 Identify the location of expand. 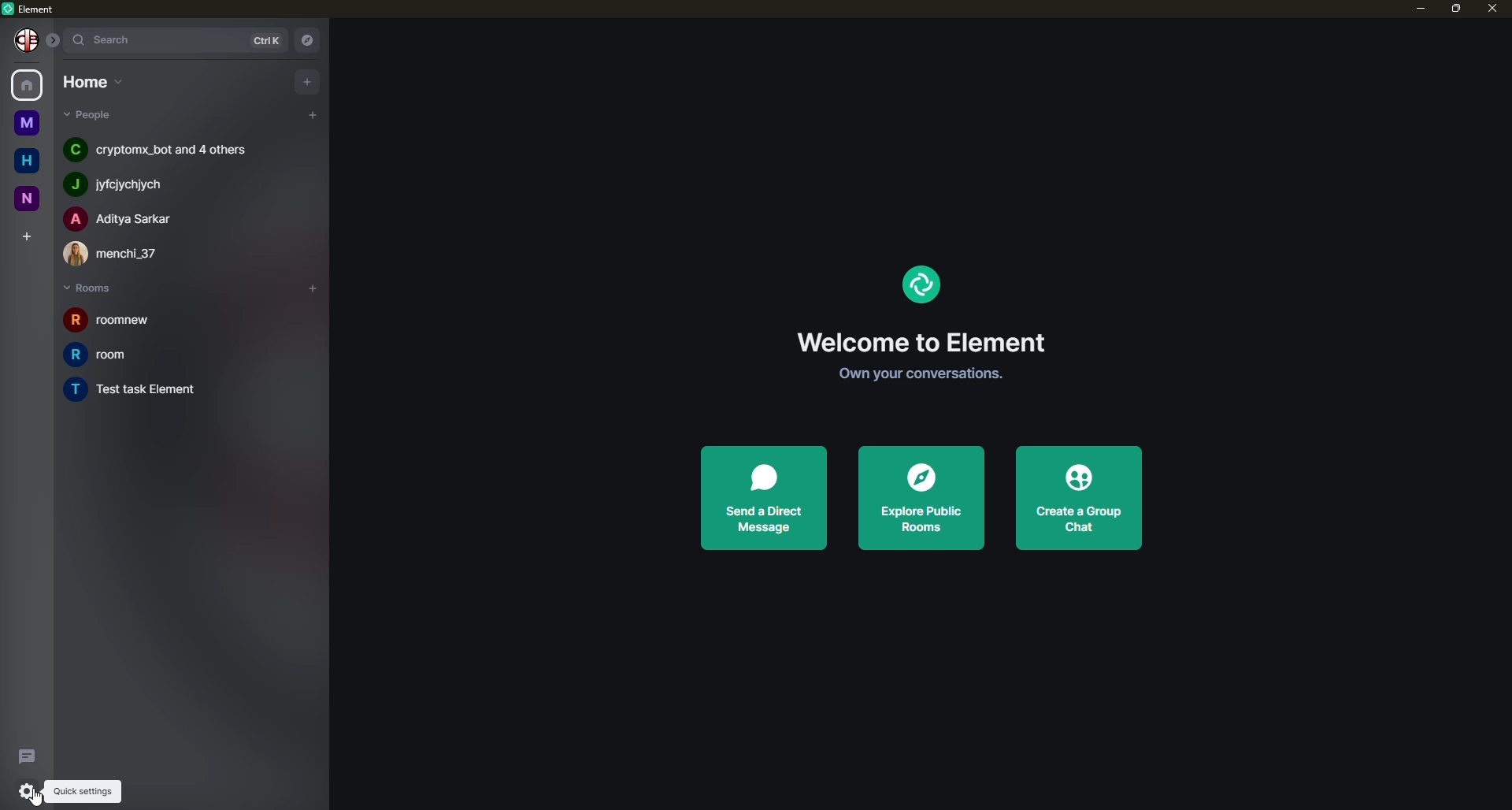
(54, 38).